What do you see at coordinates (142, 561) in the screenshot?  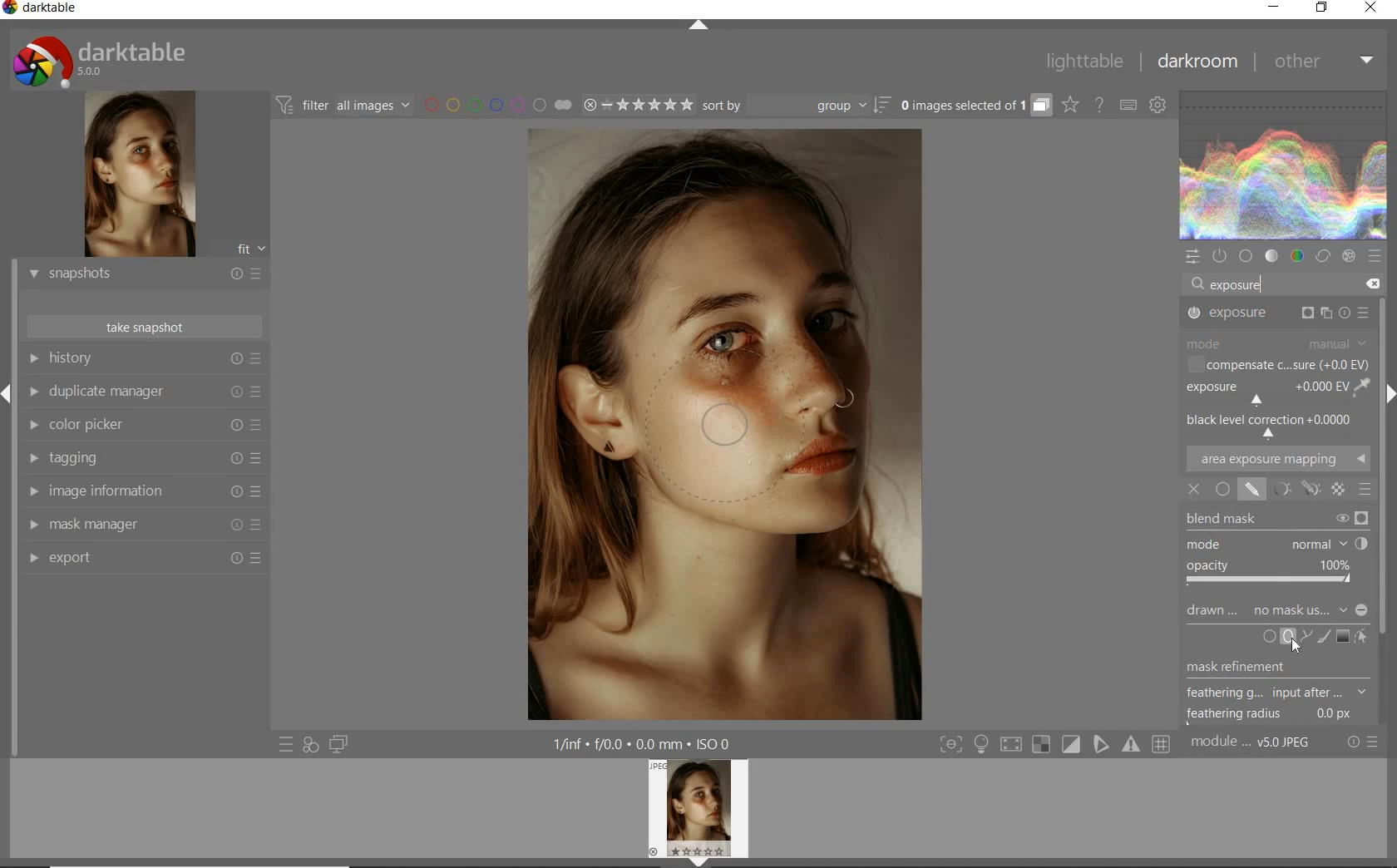 I see `export` at bounding box center [142, 561].